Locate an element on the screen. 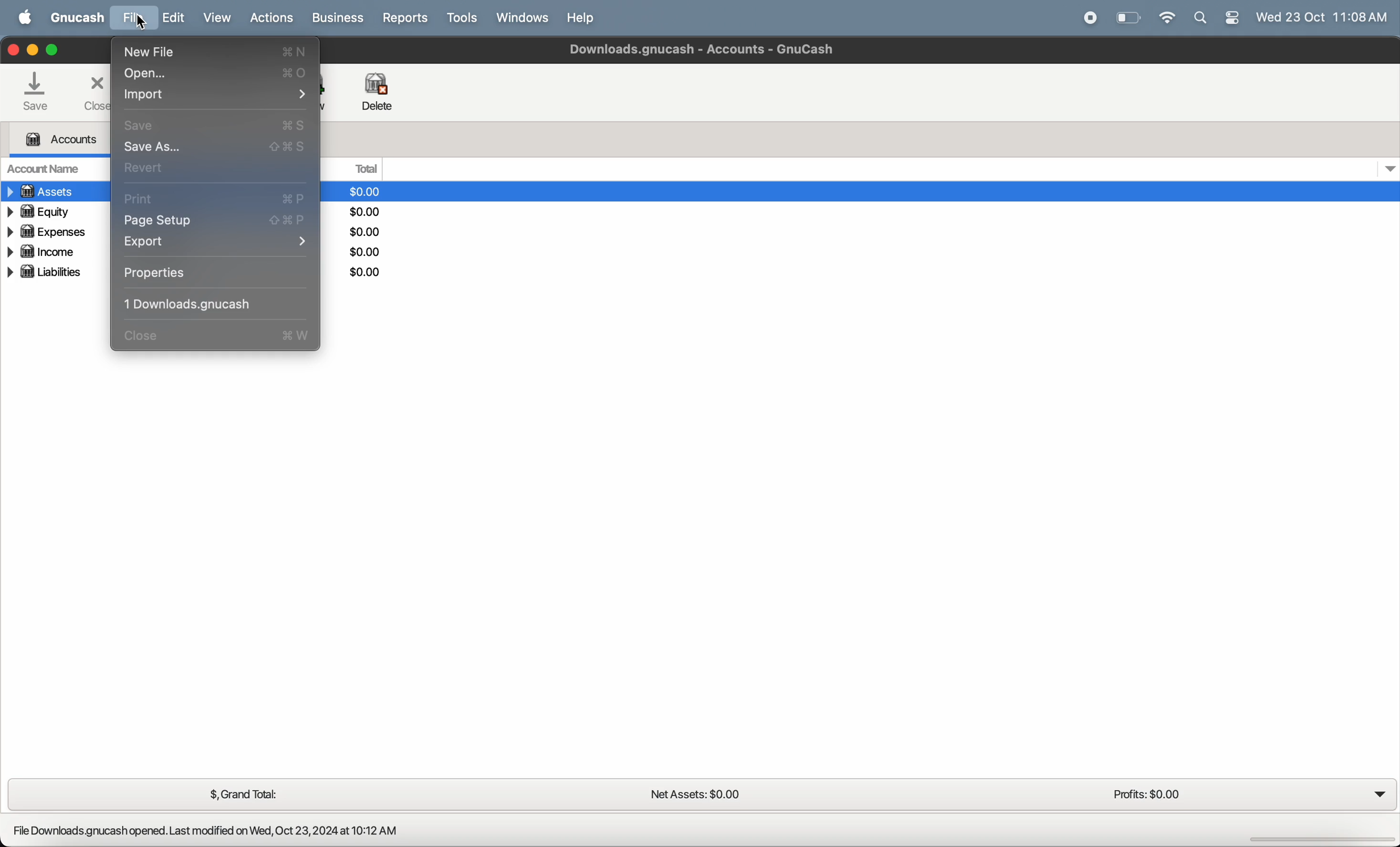 This screenshot has width=1400, height=847. delete is located at coordinates (376, 92).